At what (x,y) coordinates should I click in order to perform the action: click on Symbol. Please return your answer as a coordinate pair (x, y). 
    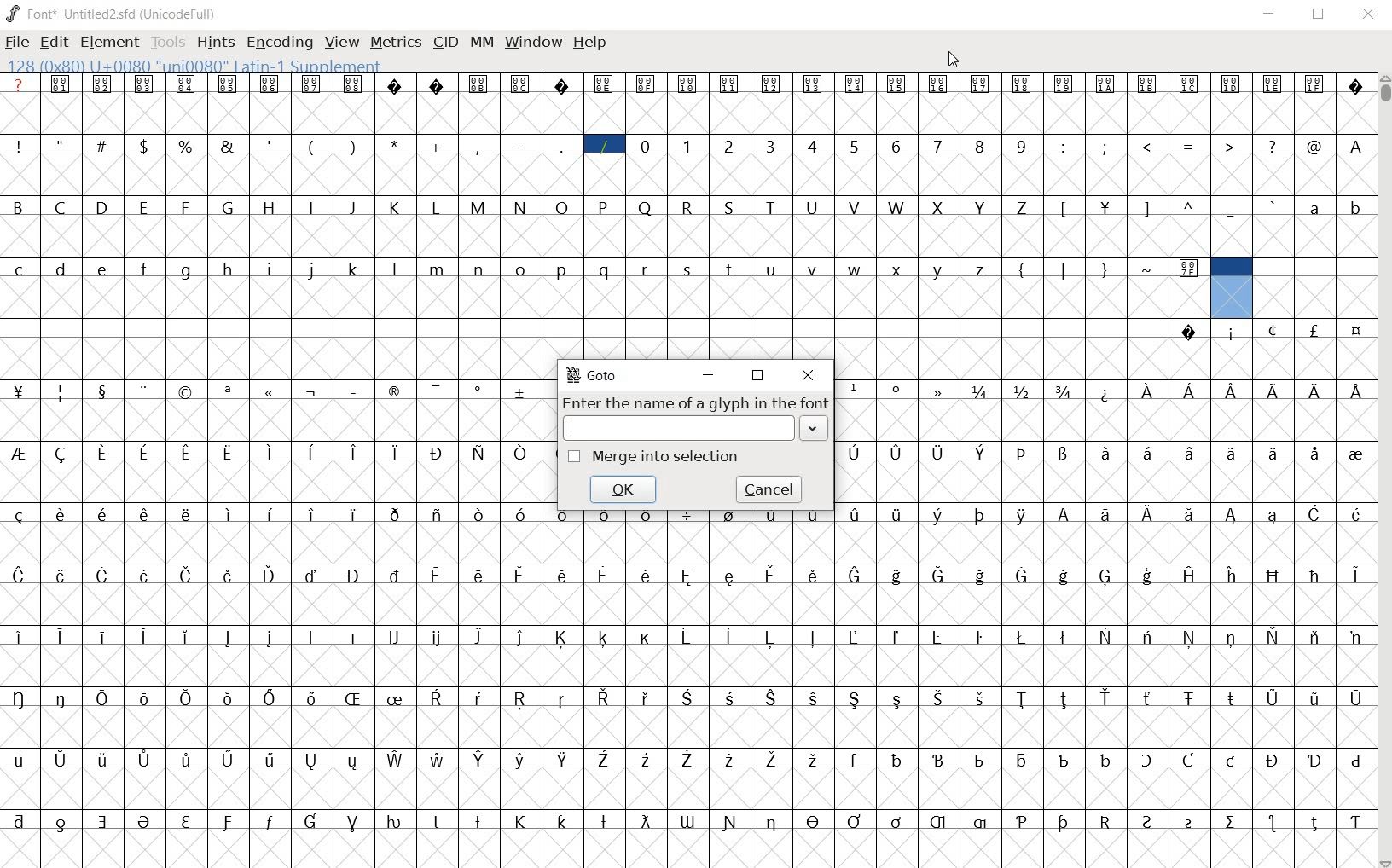
    Looking at the image, I should click on (1231, 637).